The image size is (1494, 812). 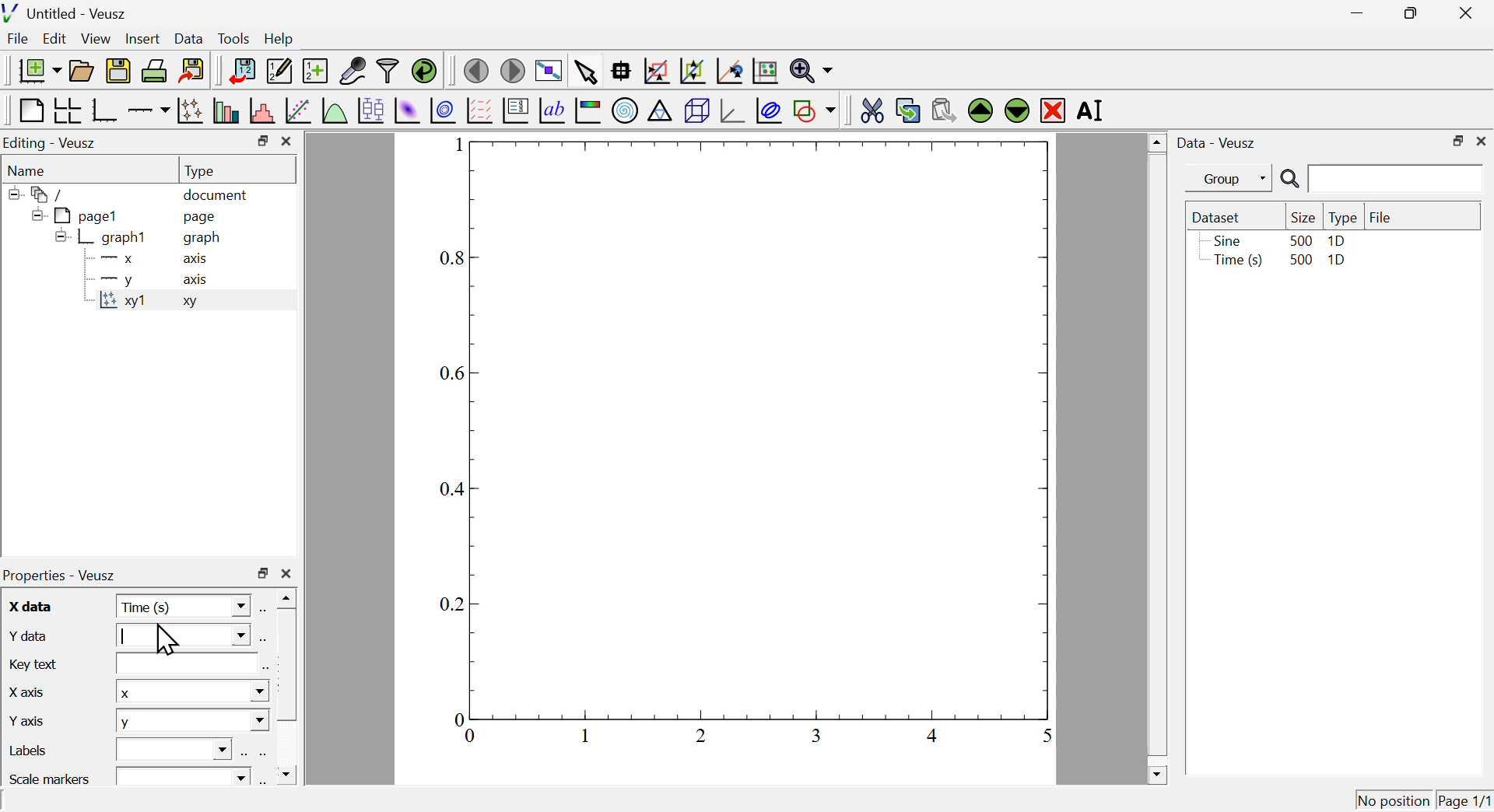 What do you see at coordinates (935, 735) in the screenshot?
I see `0.8` at bounding box center [935, 735].